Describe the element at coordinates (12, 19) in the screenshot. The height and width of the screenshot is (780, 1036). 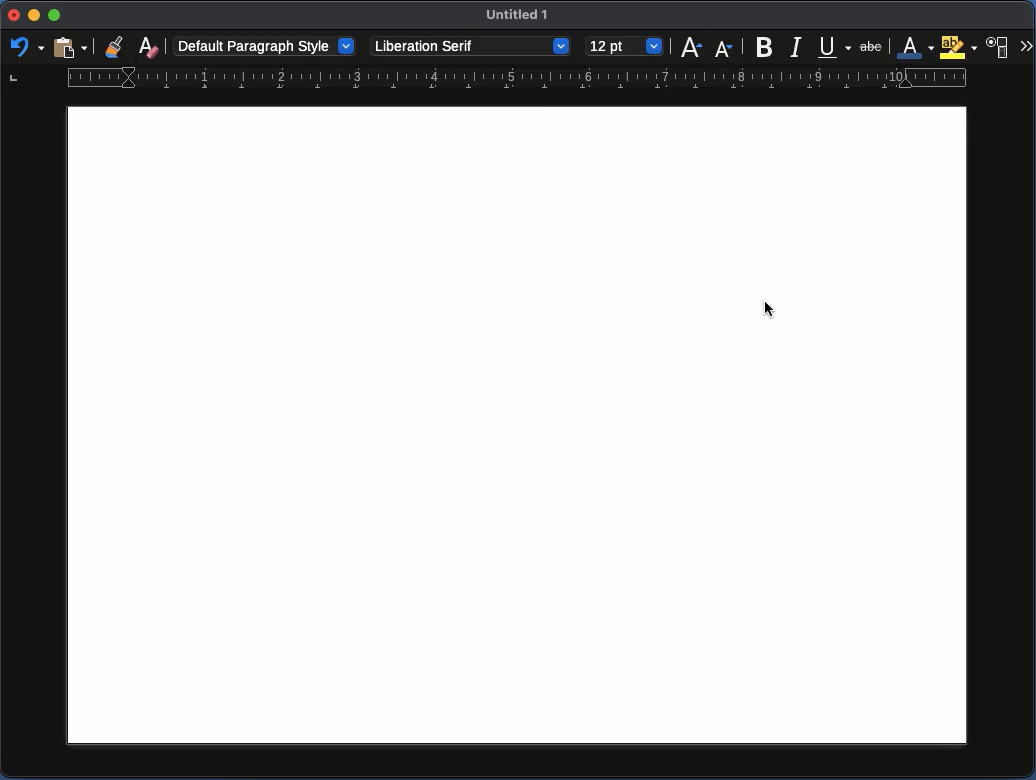
I see `Close` at that location.